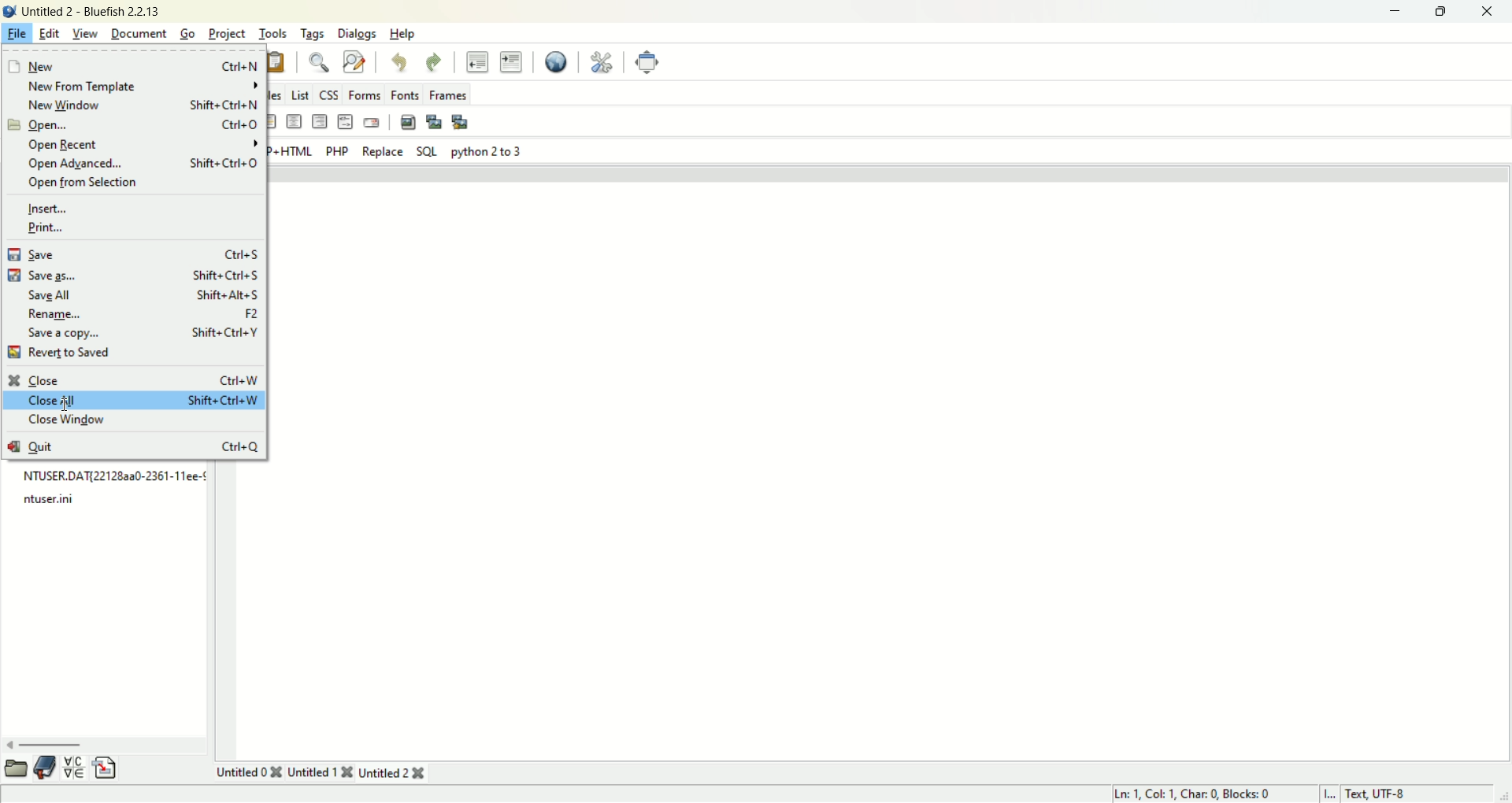 The image size is (1512, 803). What do you see at coordinates (295, 124) in the screenshot?
I see `center` at bounding box center [295, 124].